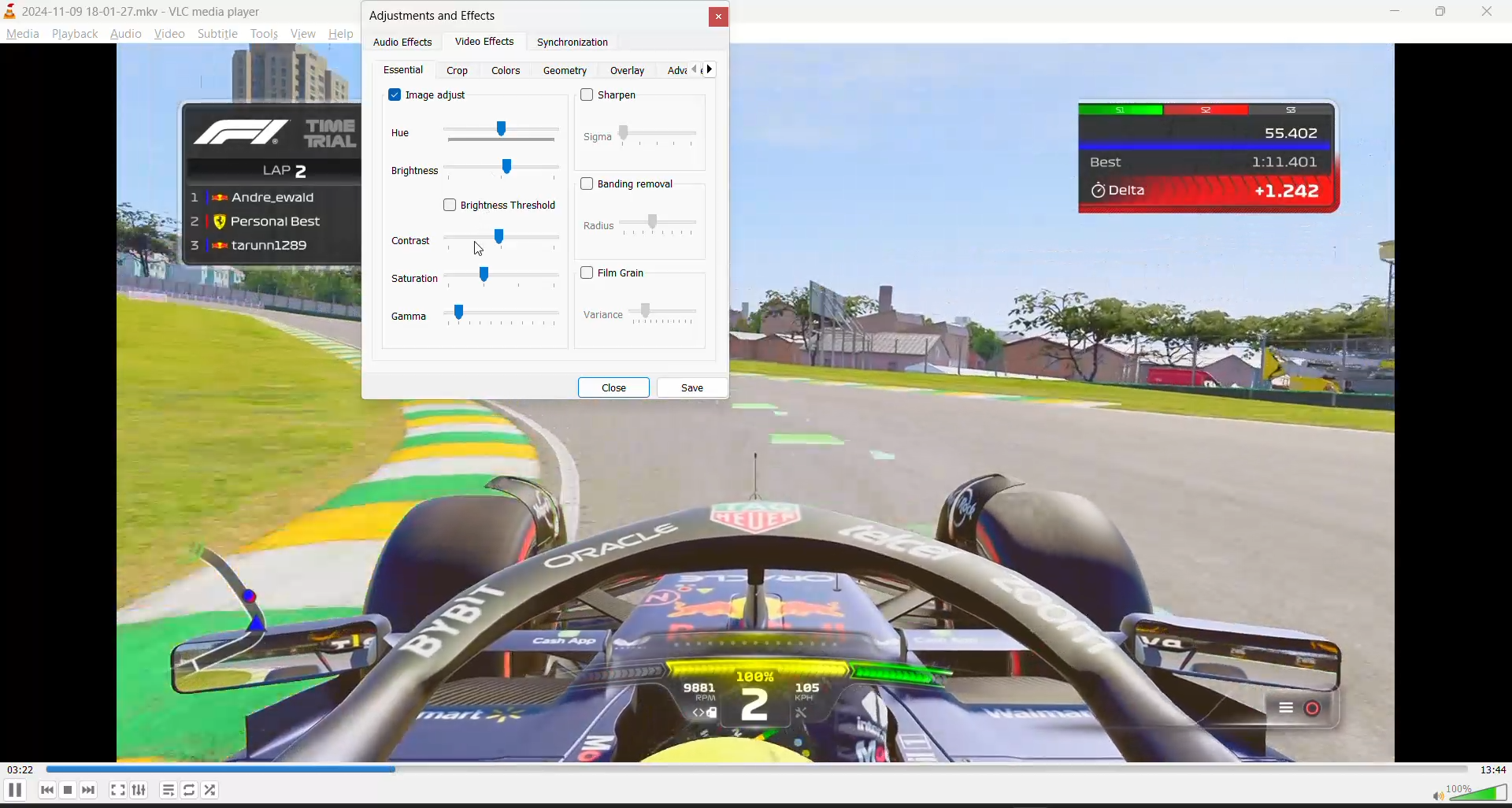 Image resolution: width=1512 pixels, height=808 pixels. What do you see at coordinates (630, 71) in the screenshot?
I see `overlay` at bounding box center [630, 71].